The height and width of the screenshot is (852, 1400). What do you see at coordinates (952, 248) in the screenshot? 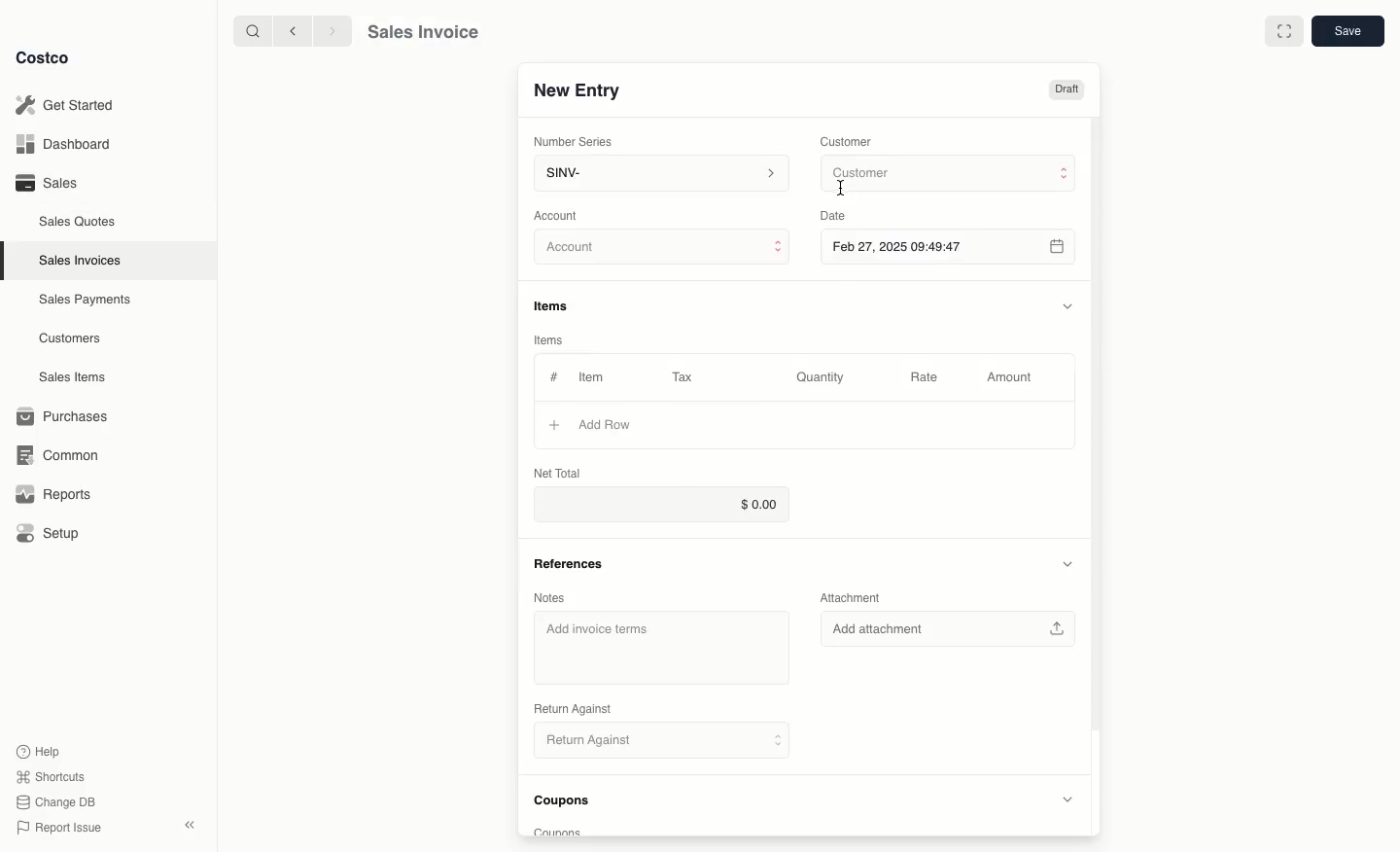
I see `Feb 27, 2025 09:49:47` at bounding box center [952, 248].